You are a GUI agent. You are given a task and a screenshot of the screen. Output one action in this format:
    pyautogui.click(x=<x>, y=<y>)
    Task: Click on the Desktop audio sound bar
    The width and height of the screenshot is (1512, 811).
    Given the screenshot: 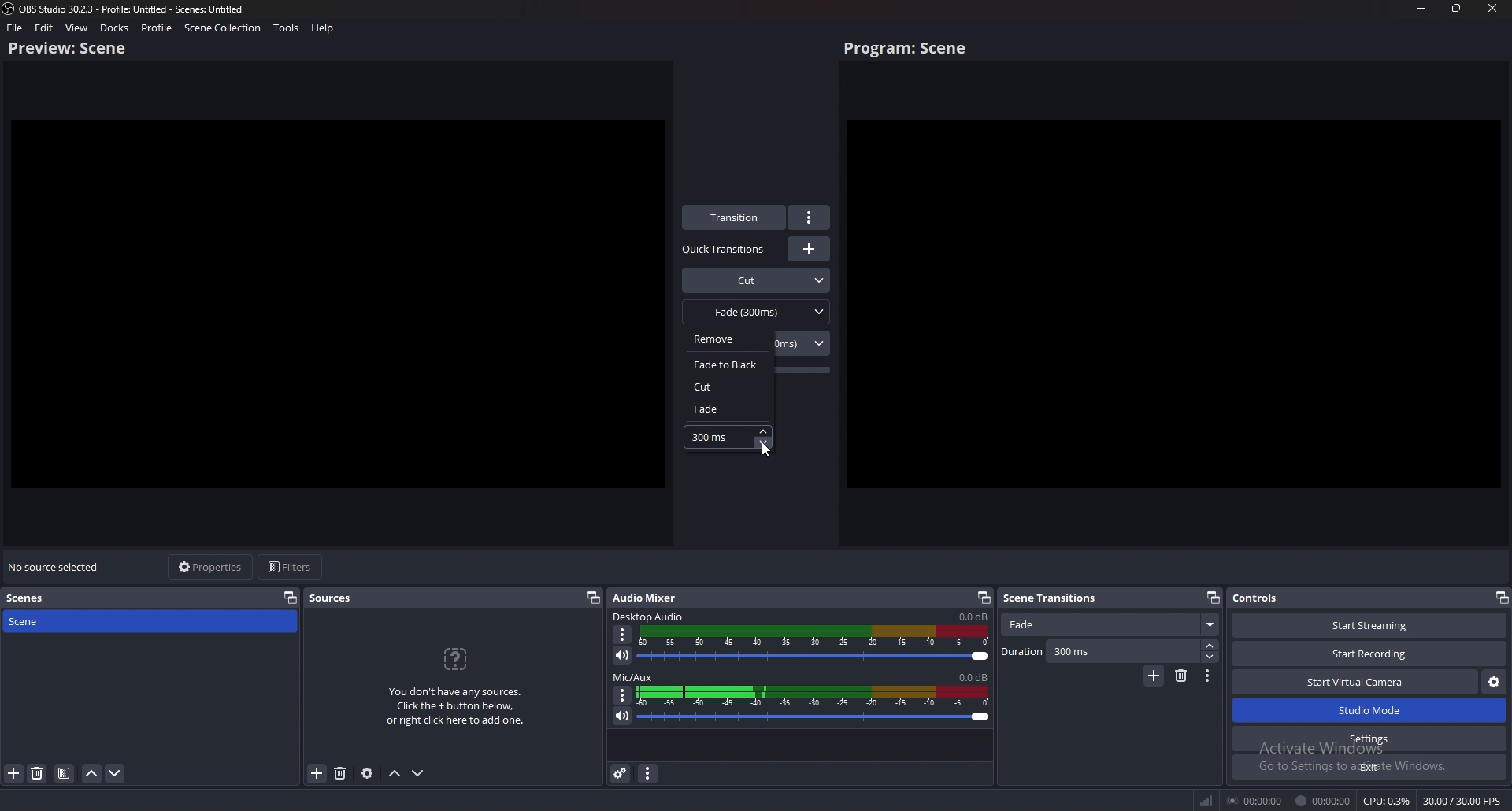 What is the action you would take?
    pyautogui.click(x=817, y=646)
    